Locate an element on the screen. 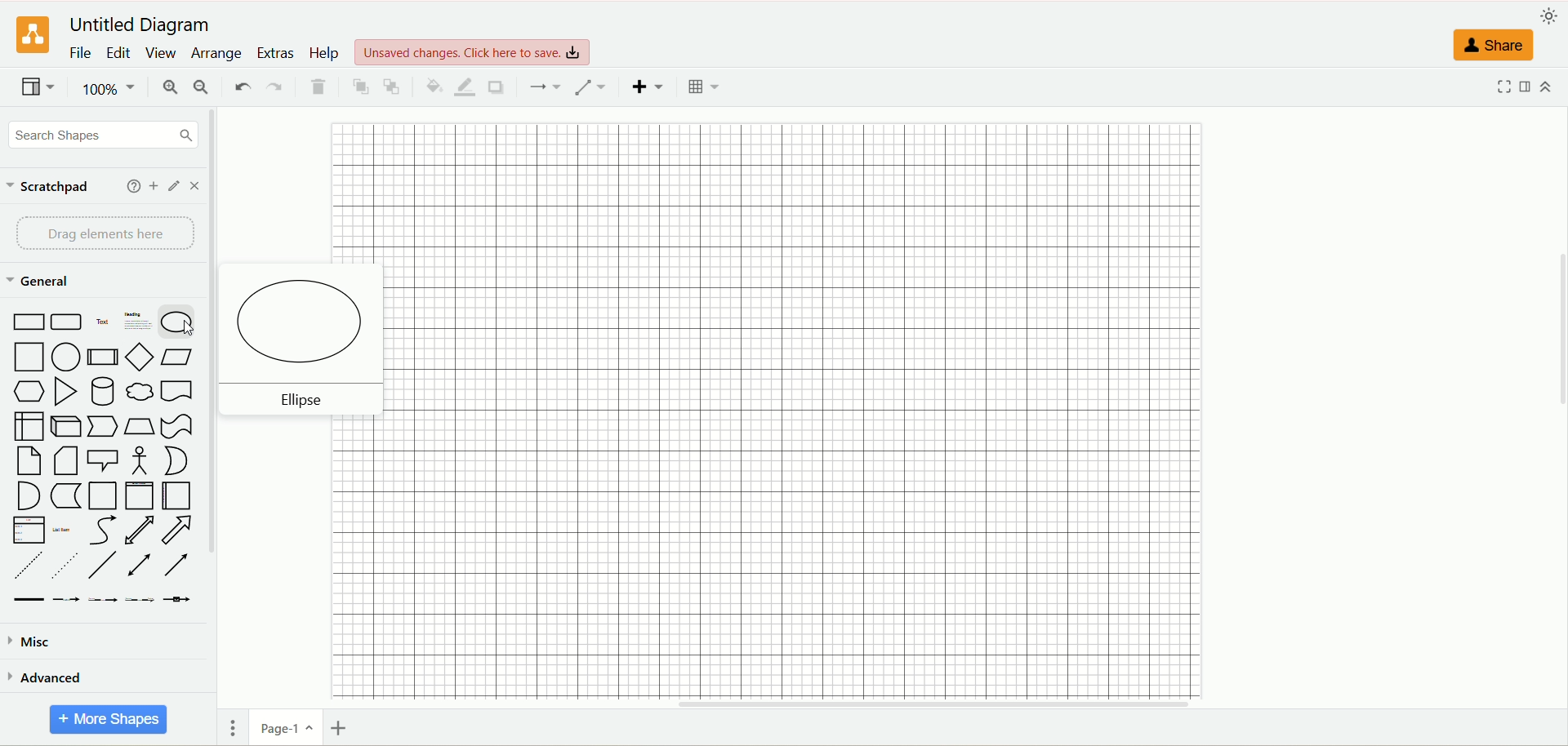 Image resolution: width=1568 pixels, height=746 pixels. arrange is located at coordinates (216, 56).